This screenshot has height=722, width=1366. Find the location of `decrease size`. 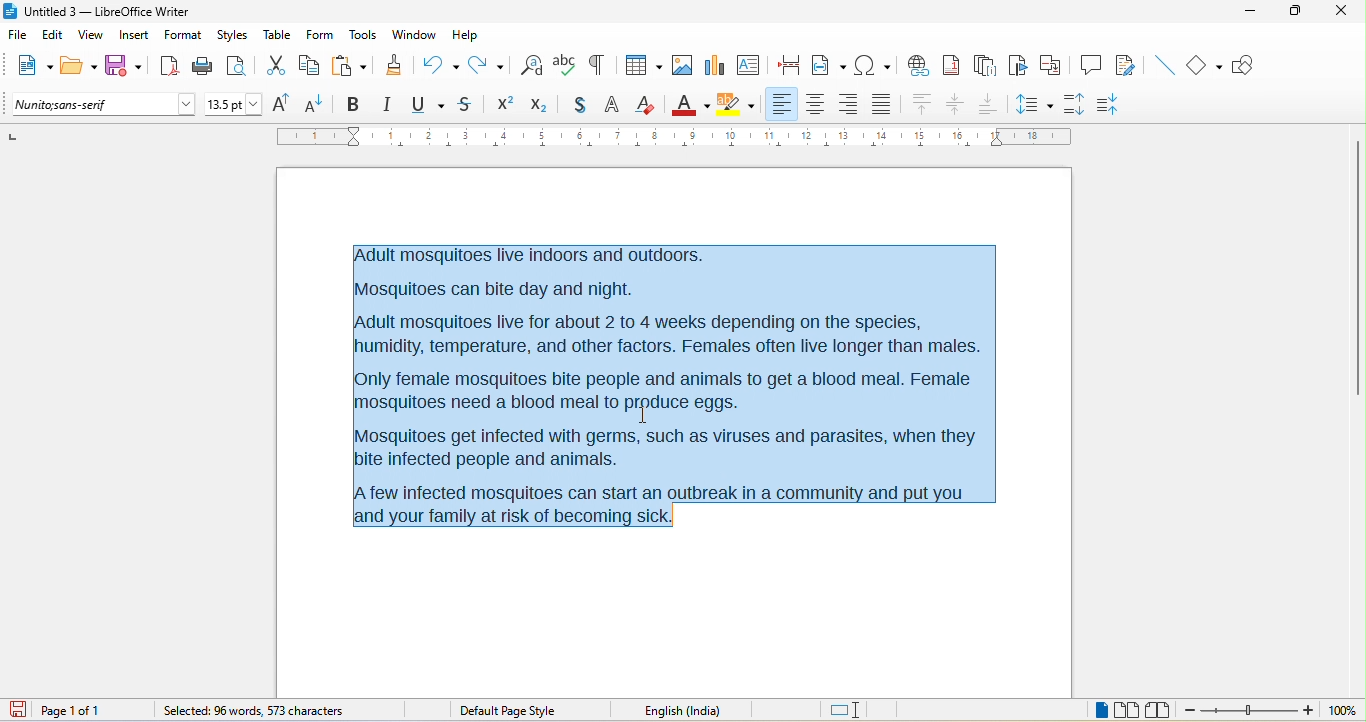

decrease size is located at coordinates (319, 103).